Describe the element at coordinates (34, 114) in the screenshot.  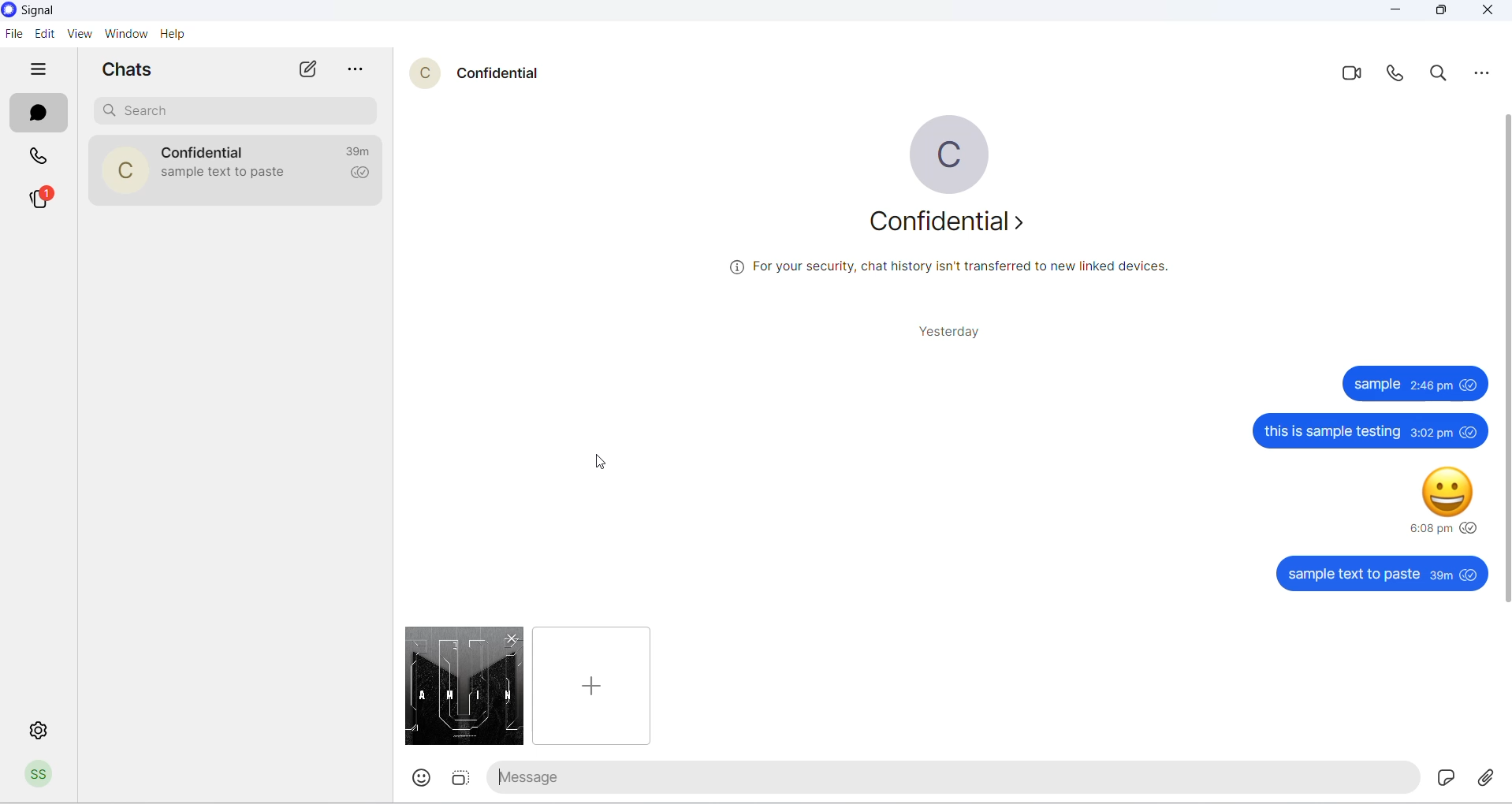
I see `chats` at that location.